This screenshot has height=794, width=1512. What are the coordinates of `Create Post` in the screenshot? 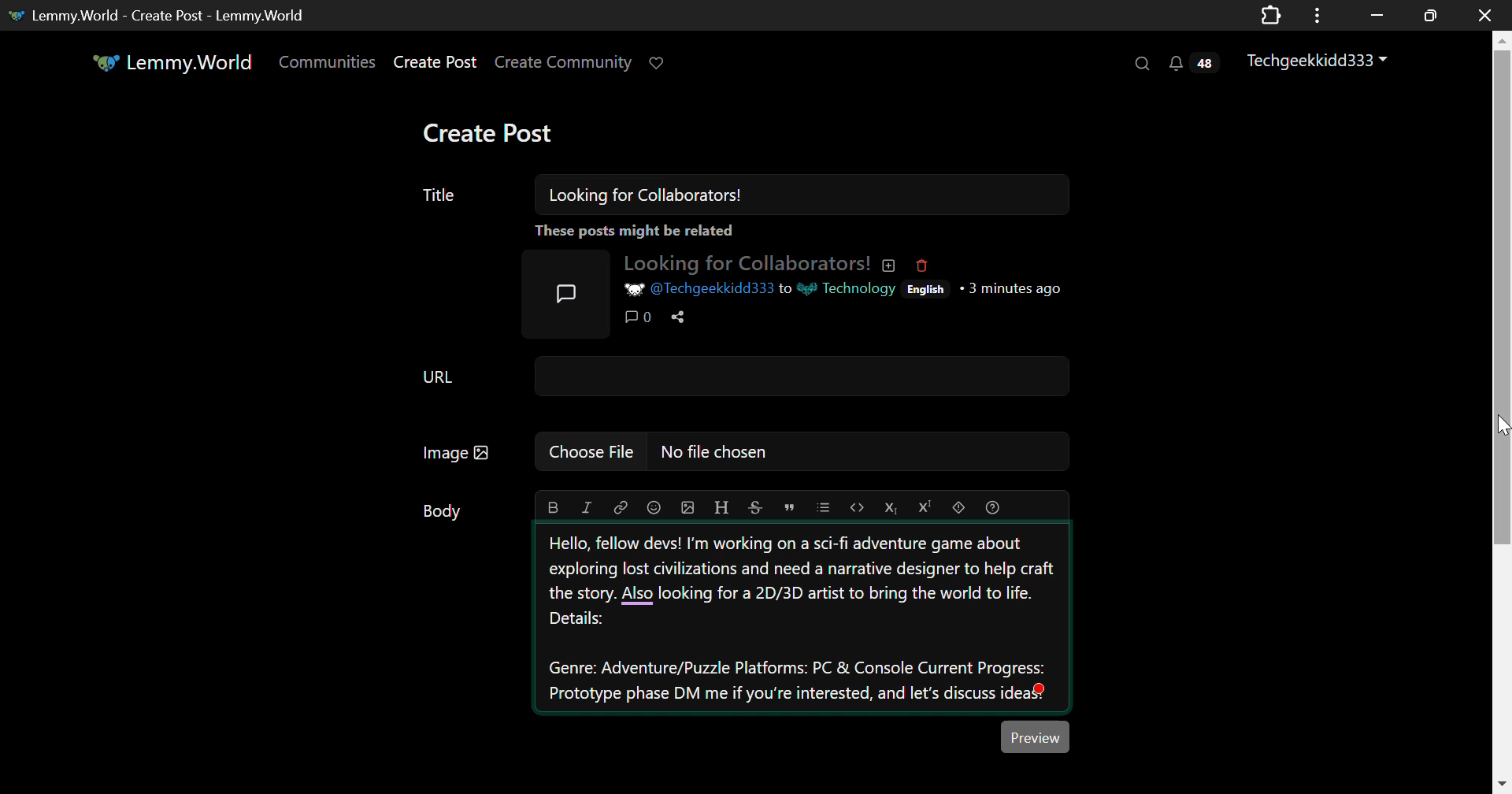 It's located at (438, 62).